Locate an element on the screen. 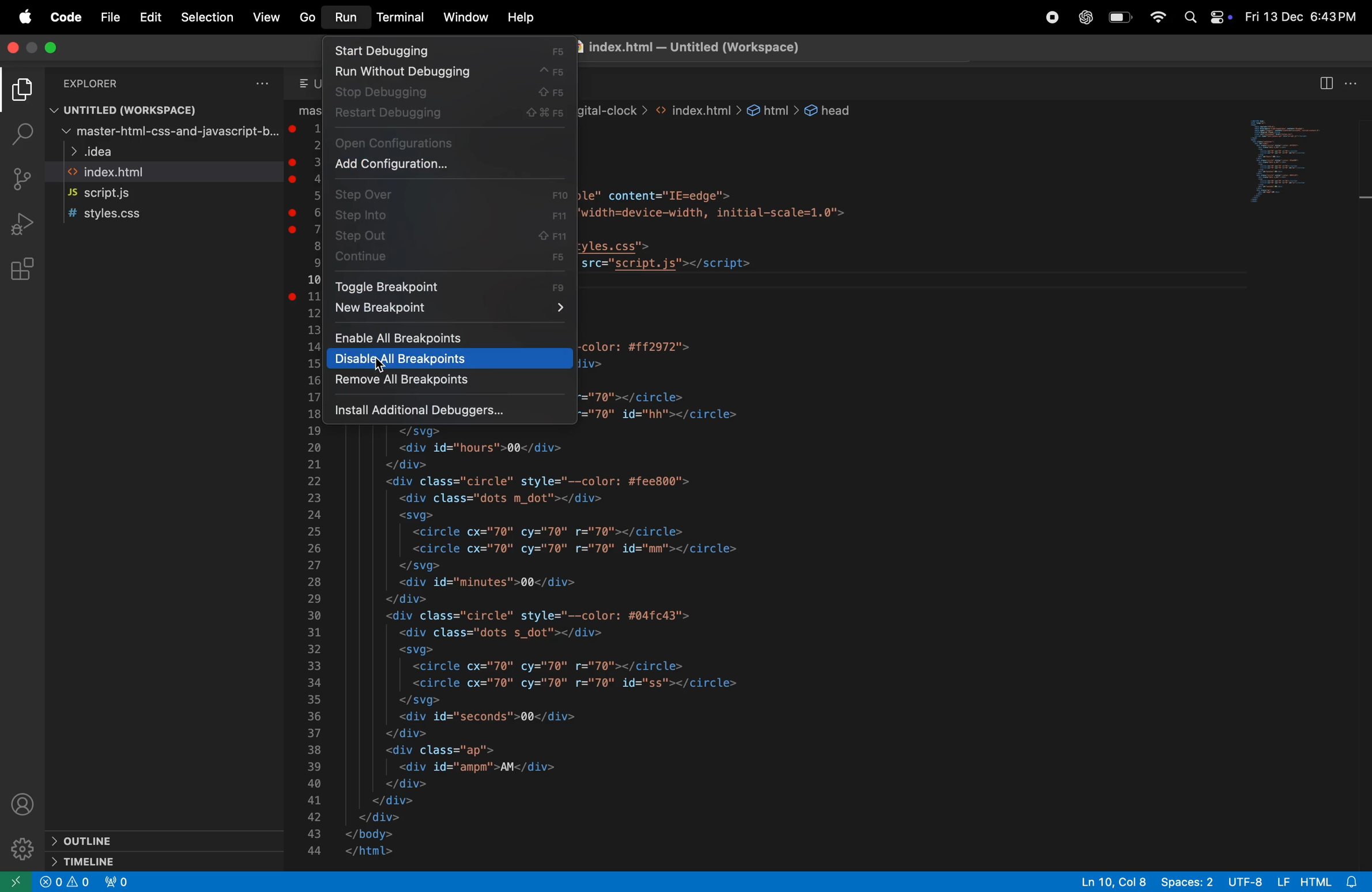  restart debugging is located at coordinates (448, 114).